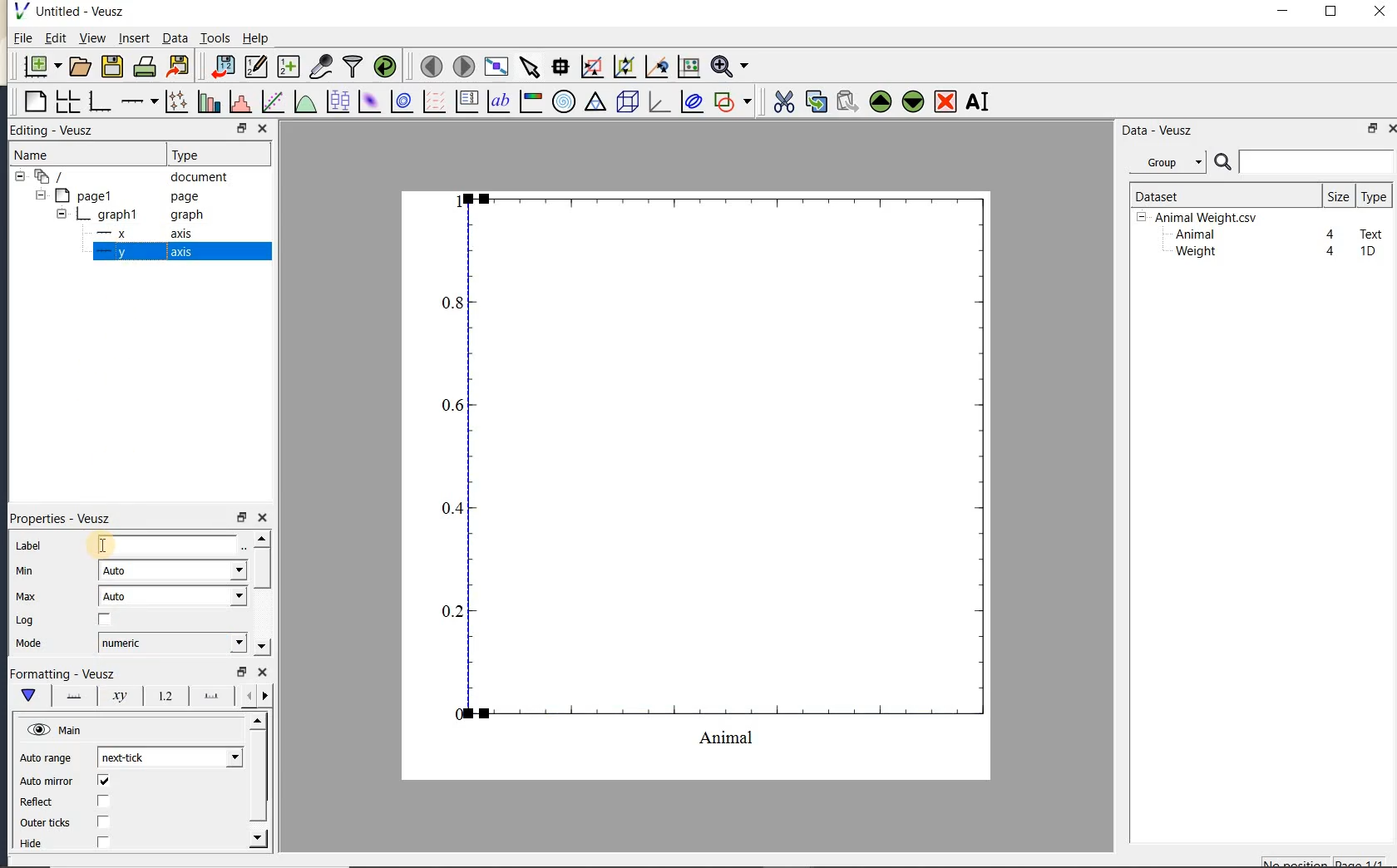 The image size is (1397, 868). Describe the element at coordinates (595, 104) in the screenshot. I see `ternary graph` at that location.